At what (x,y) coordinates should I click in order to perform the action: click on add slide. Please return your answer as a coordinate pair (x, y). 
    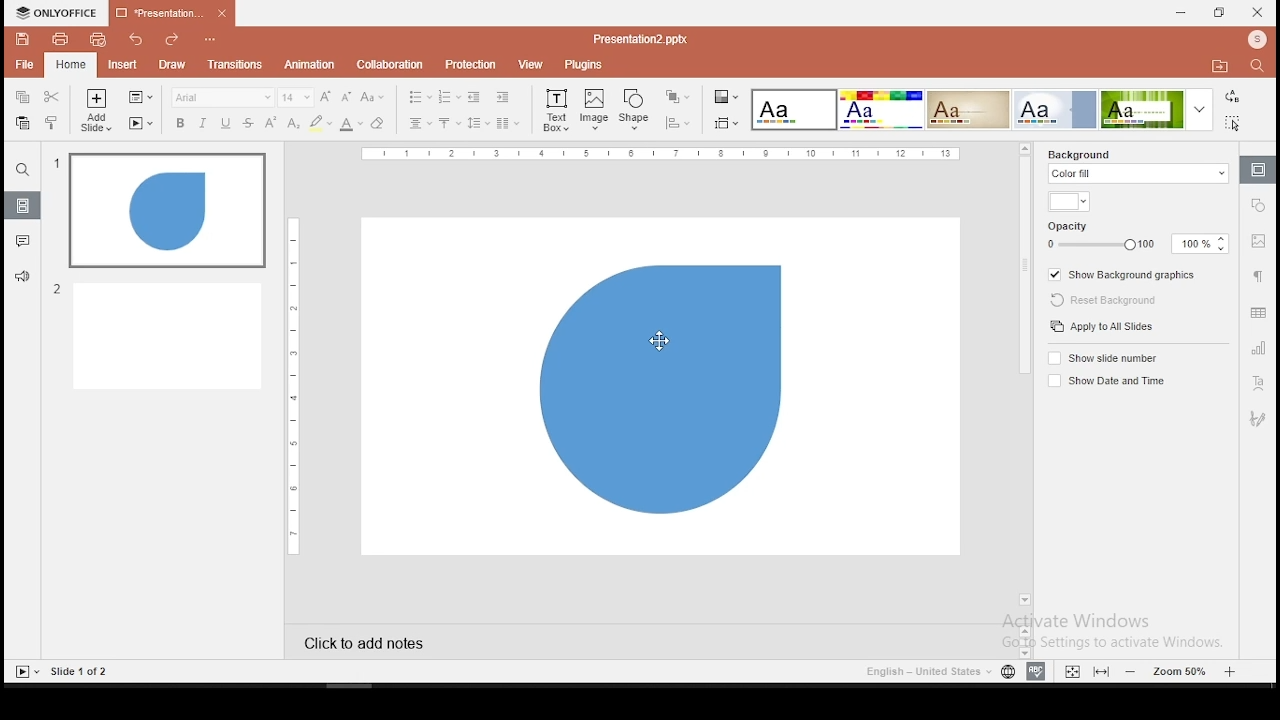
    Looking at the image, I should click on (96, 112).